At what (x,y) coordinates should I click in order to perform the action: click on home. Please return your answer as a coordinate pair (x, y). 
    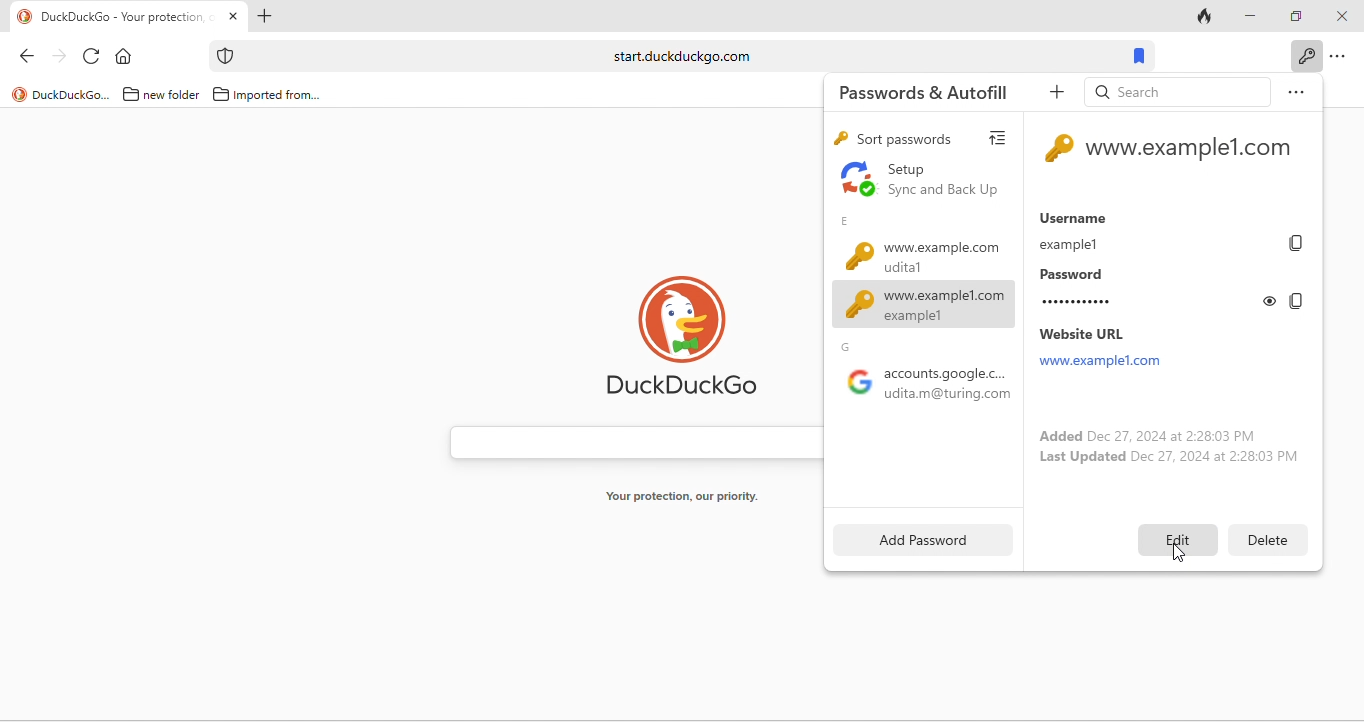
    Looking at the image, I should click on (128, 55).